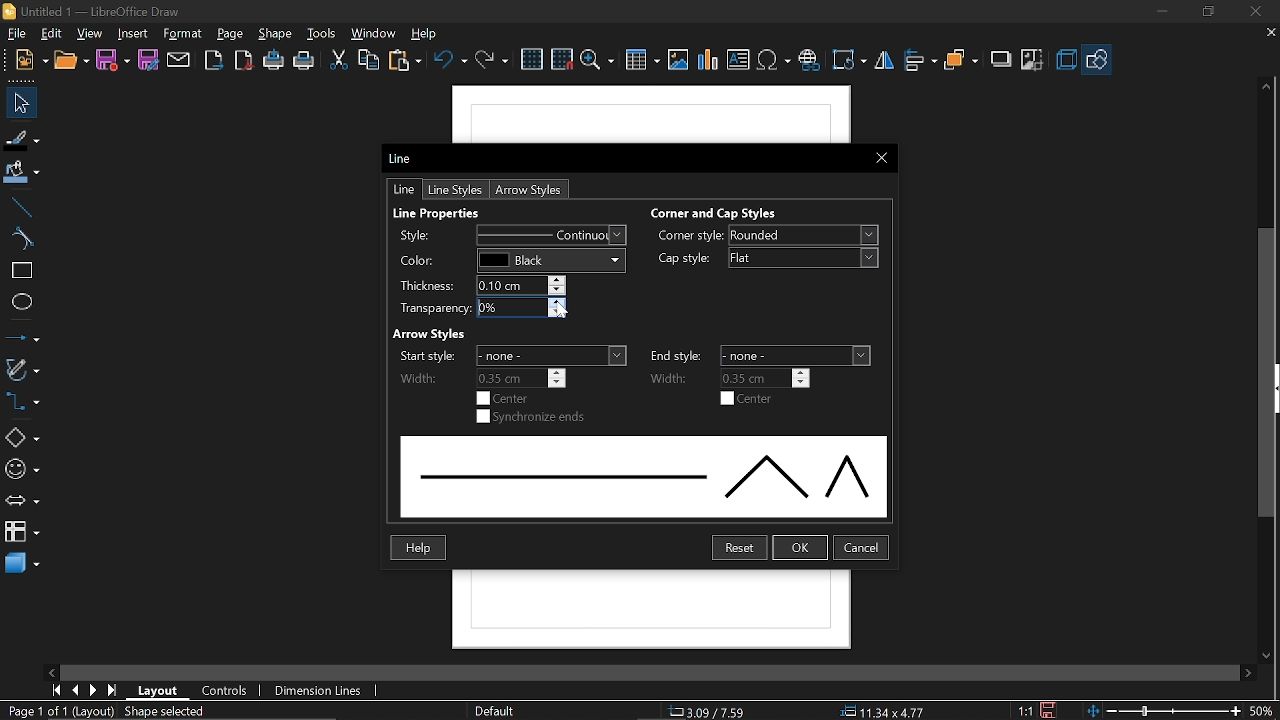  What do you see at coordinates (18, 102) in the screenshot?
I see `Select` at bounding box center [18, 102].